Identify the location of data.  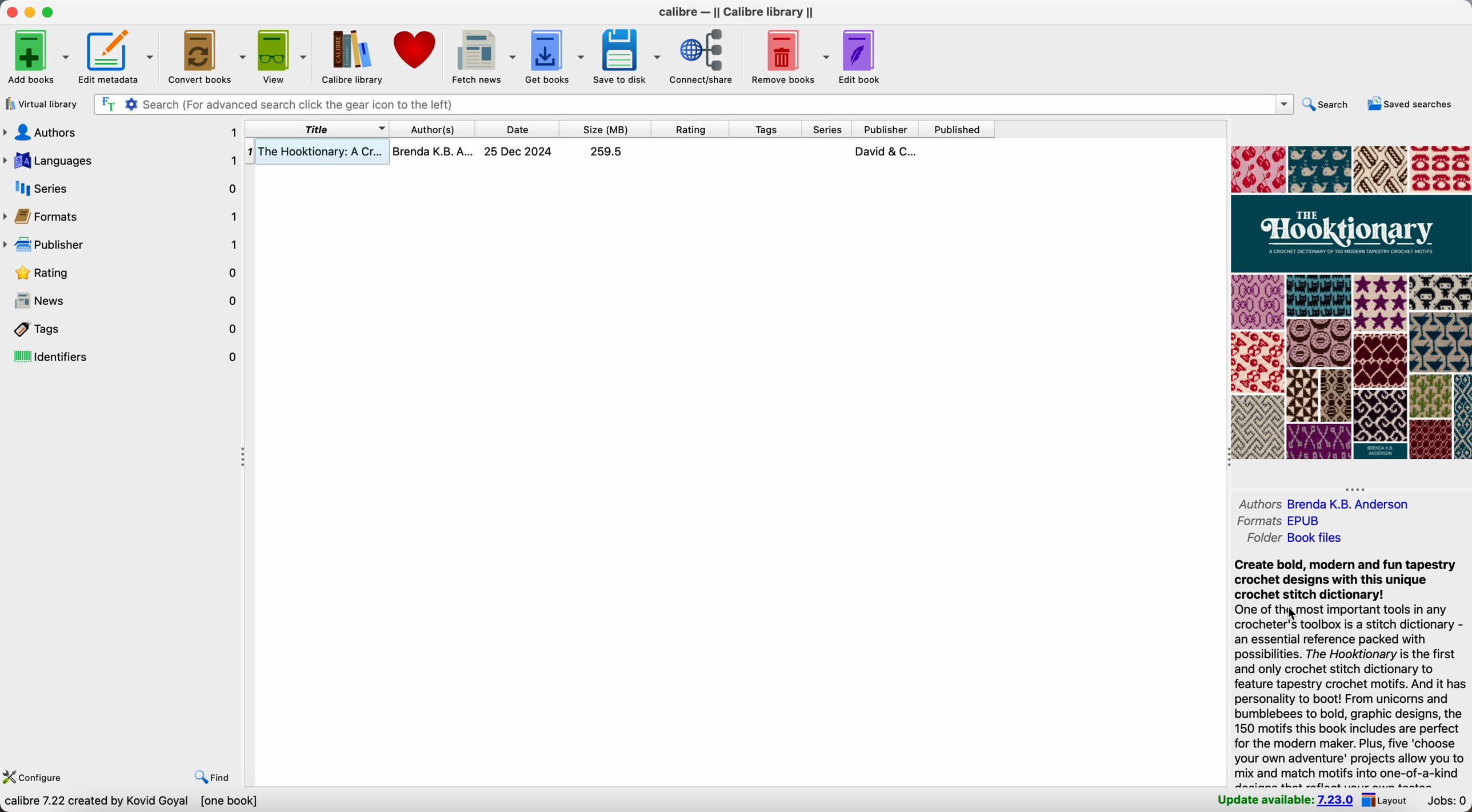
(134, 803).